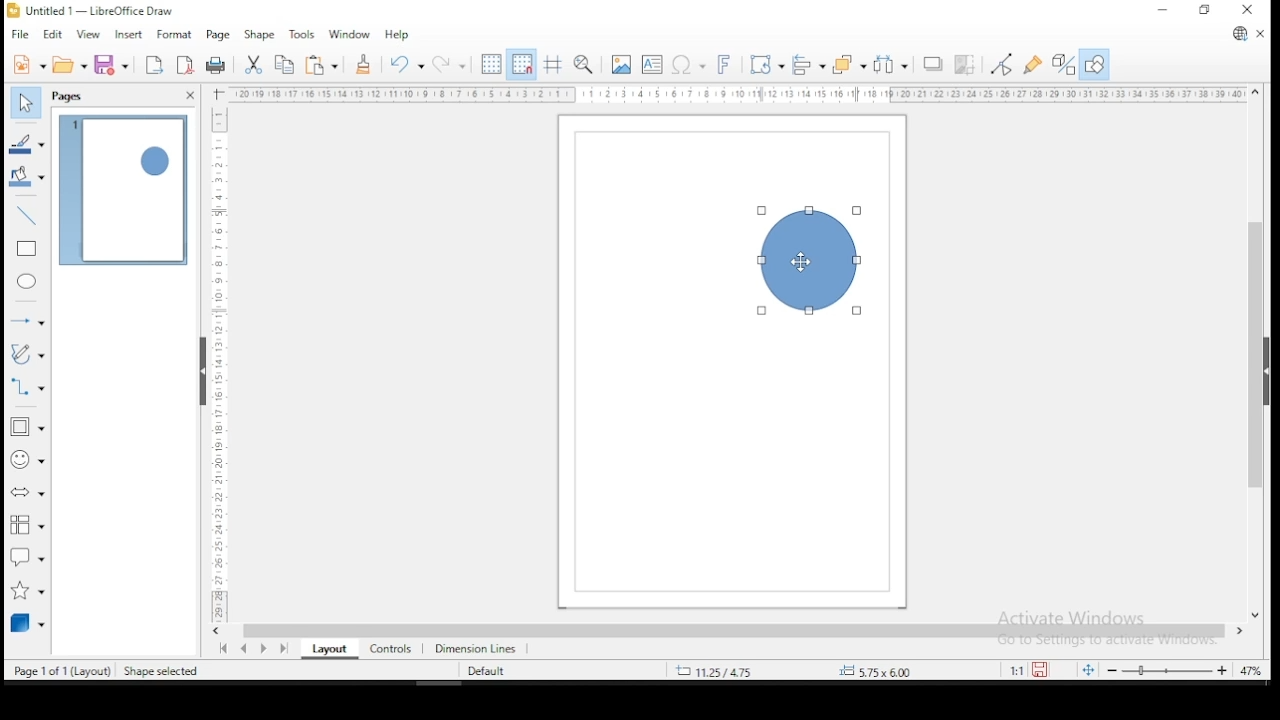  What do you see at coordinates (806, 65) in the screenshot?
I see `align objects` at bounding box center [806, 65].